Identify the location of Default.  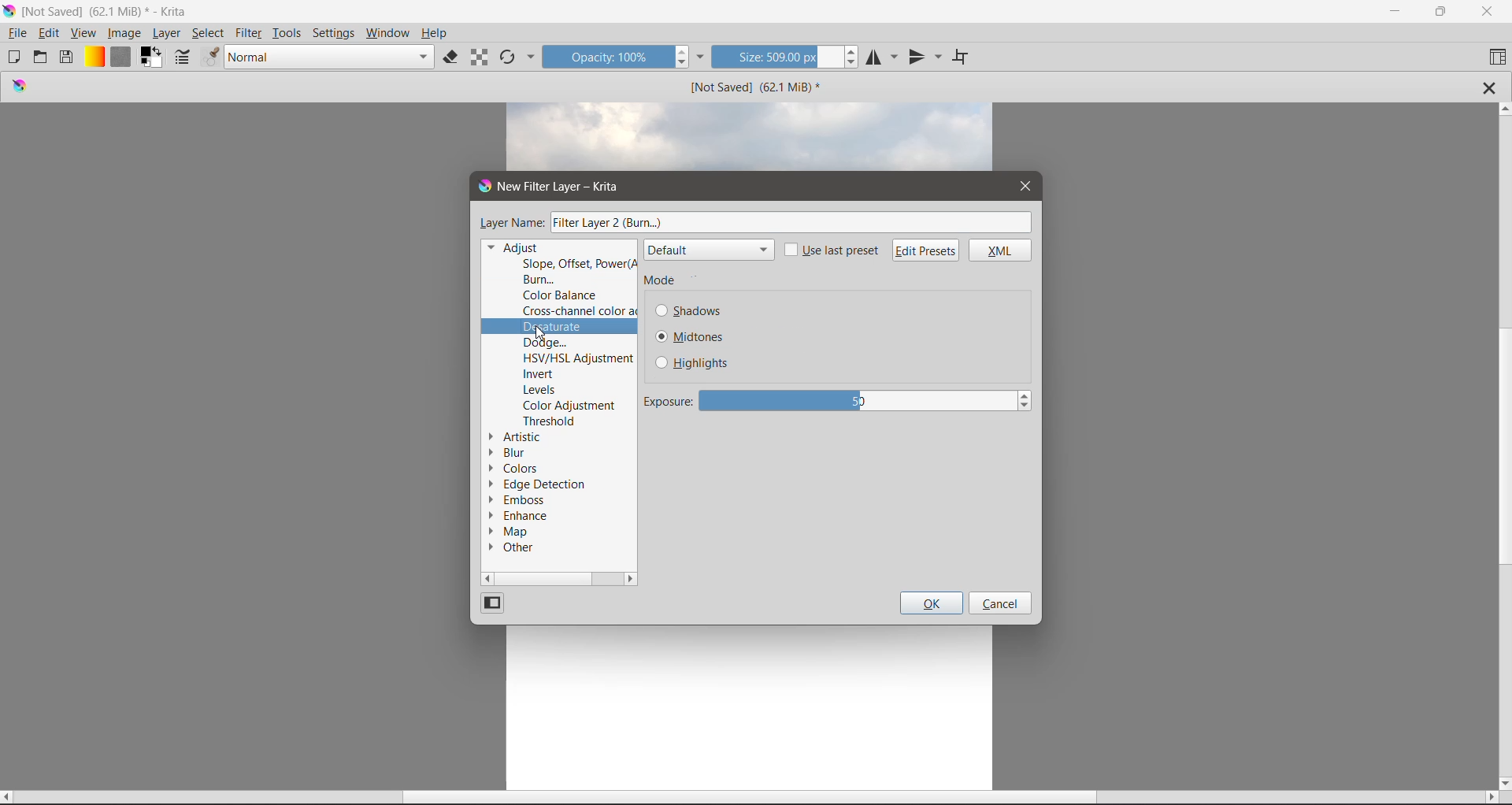
(708, 250).